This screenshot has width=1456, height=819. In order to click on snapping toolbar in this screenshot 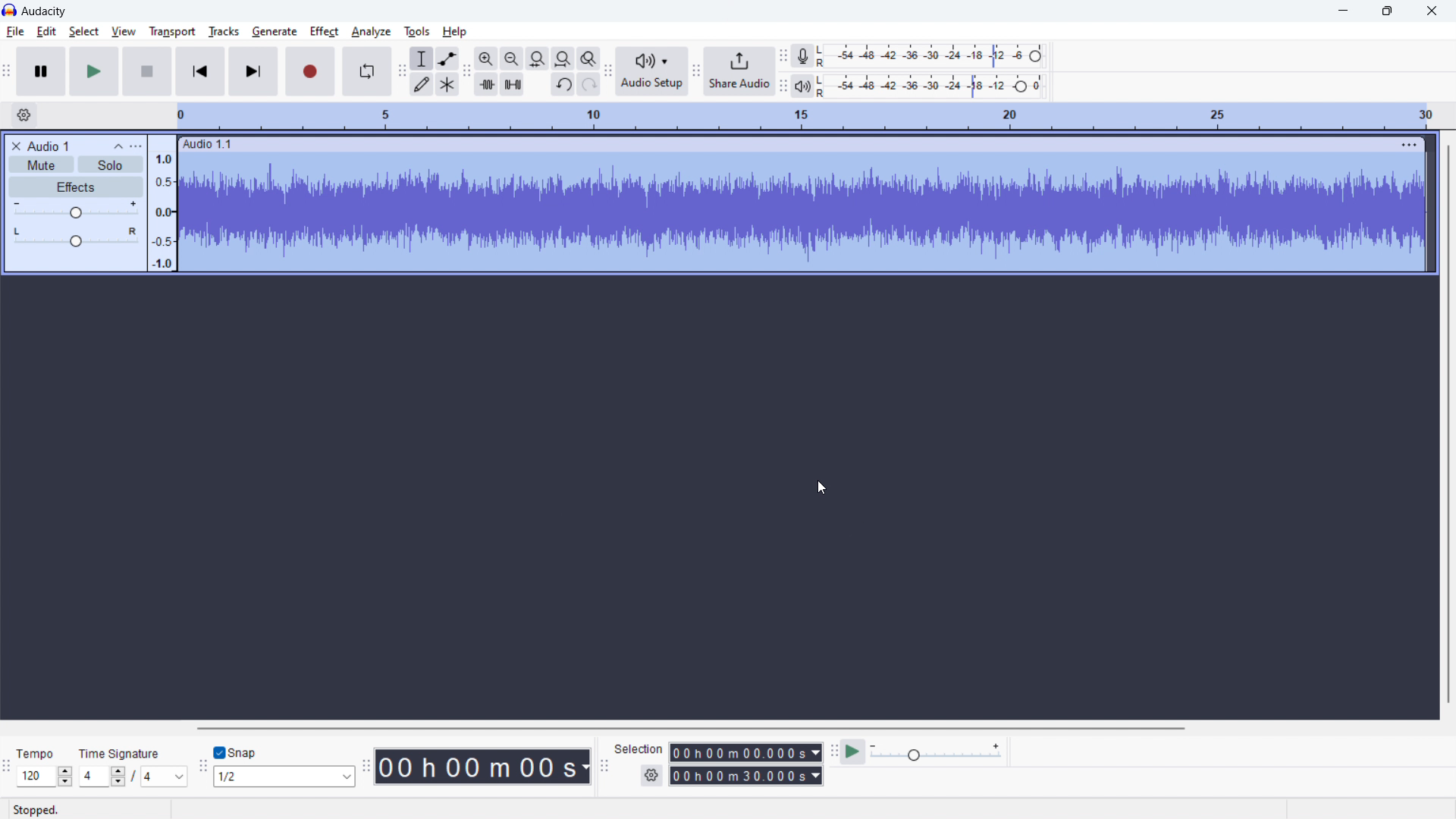, I will do `click(204, 767)`.